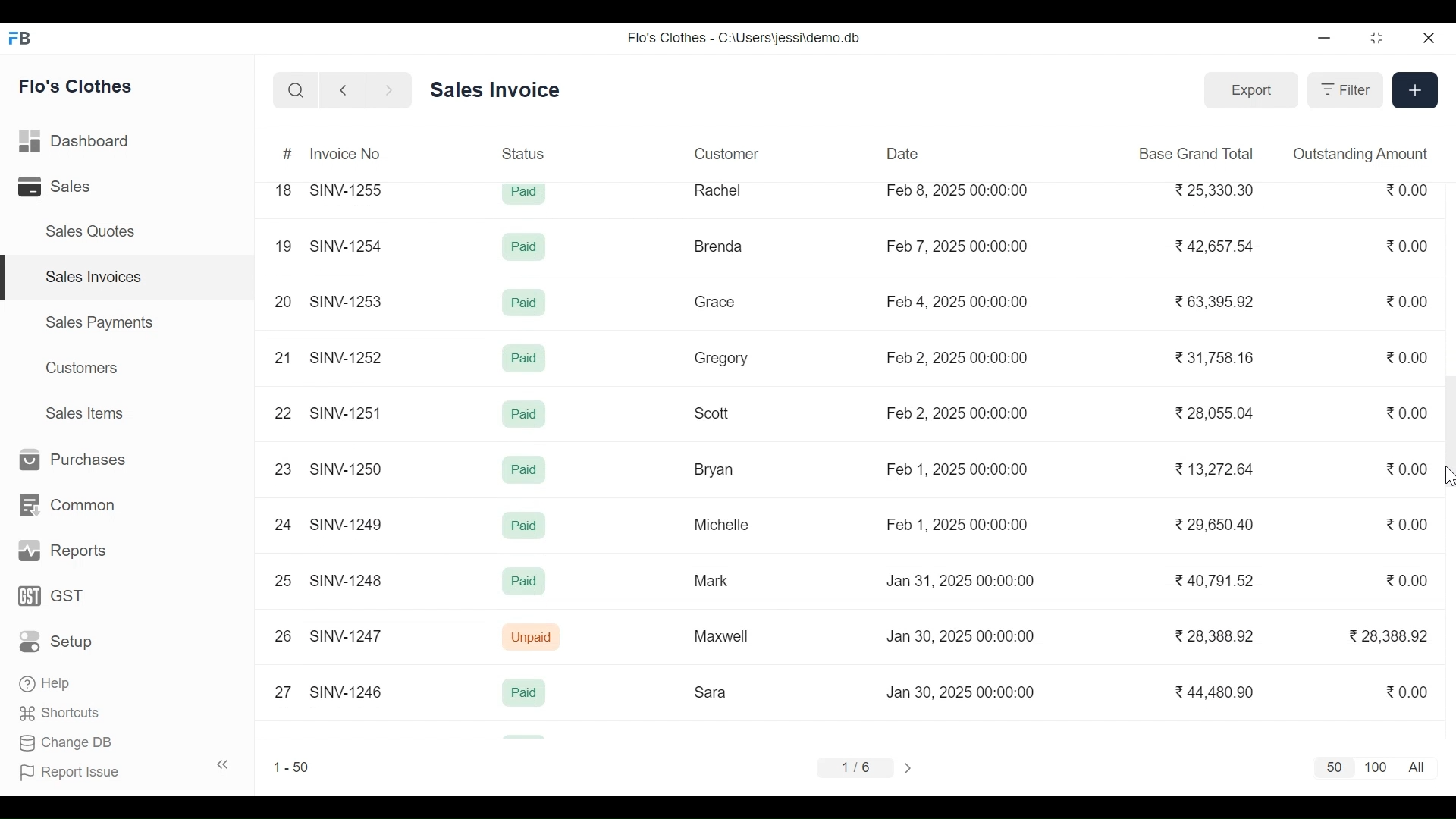  What do you see at coordinates (1215, 469) in the screenshot?
I see `13,272.64` at bounding box center [1215, 469].